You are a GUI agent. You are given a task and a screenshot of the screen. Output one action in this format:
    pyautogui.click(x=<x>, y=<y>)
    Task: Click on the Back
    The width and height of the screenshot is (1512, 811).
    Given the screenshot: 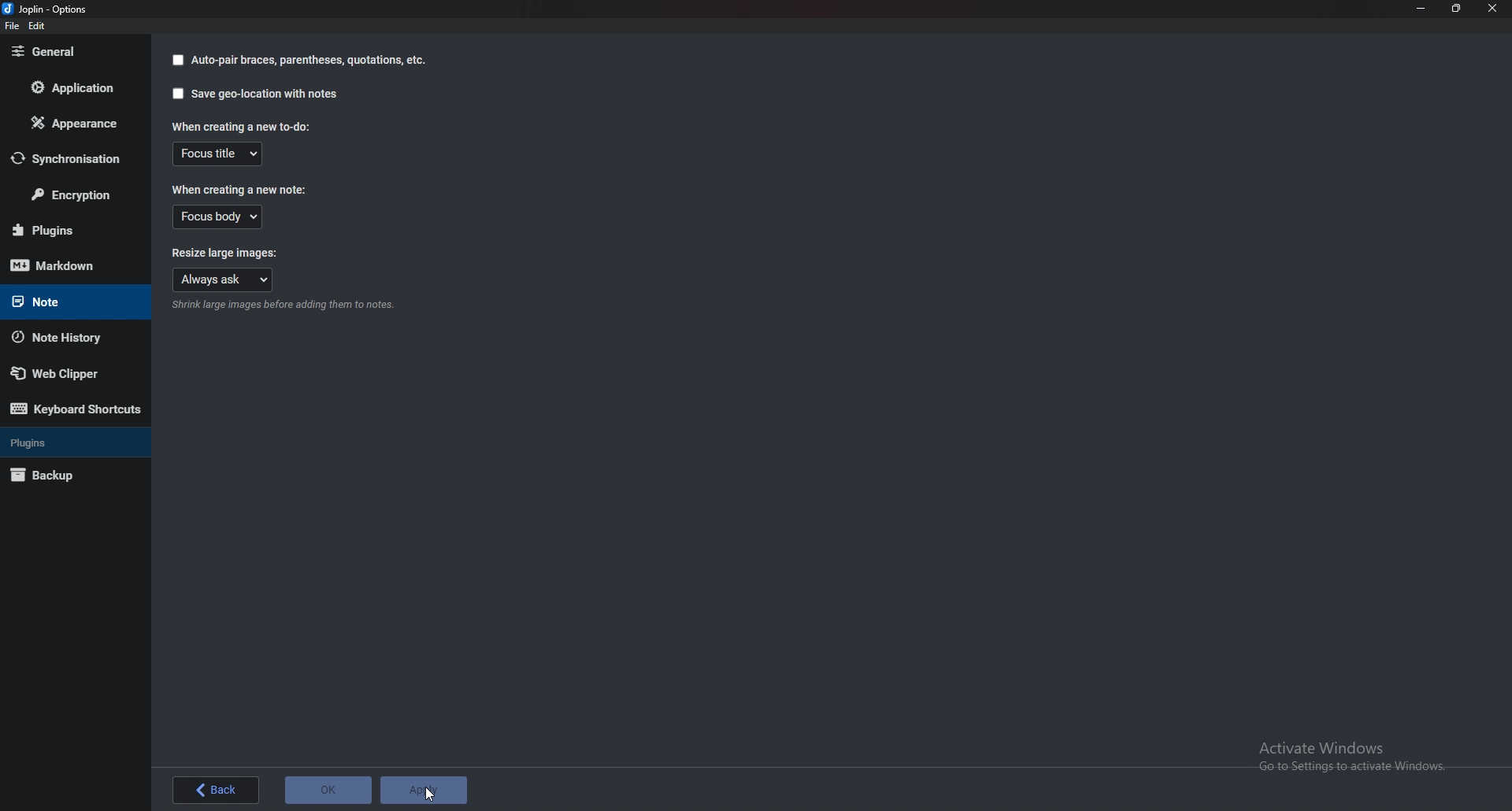 What is the action you would take?
    pyautogui.click(x=216, y=792)
    